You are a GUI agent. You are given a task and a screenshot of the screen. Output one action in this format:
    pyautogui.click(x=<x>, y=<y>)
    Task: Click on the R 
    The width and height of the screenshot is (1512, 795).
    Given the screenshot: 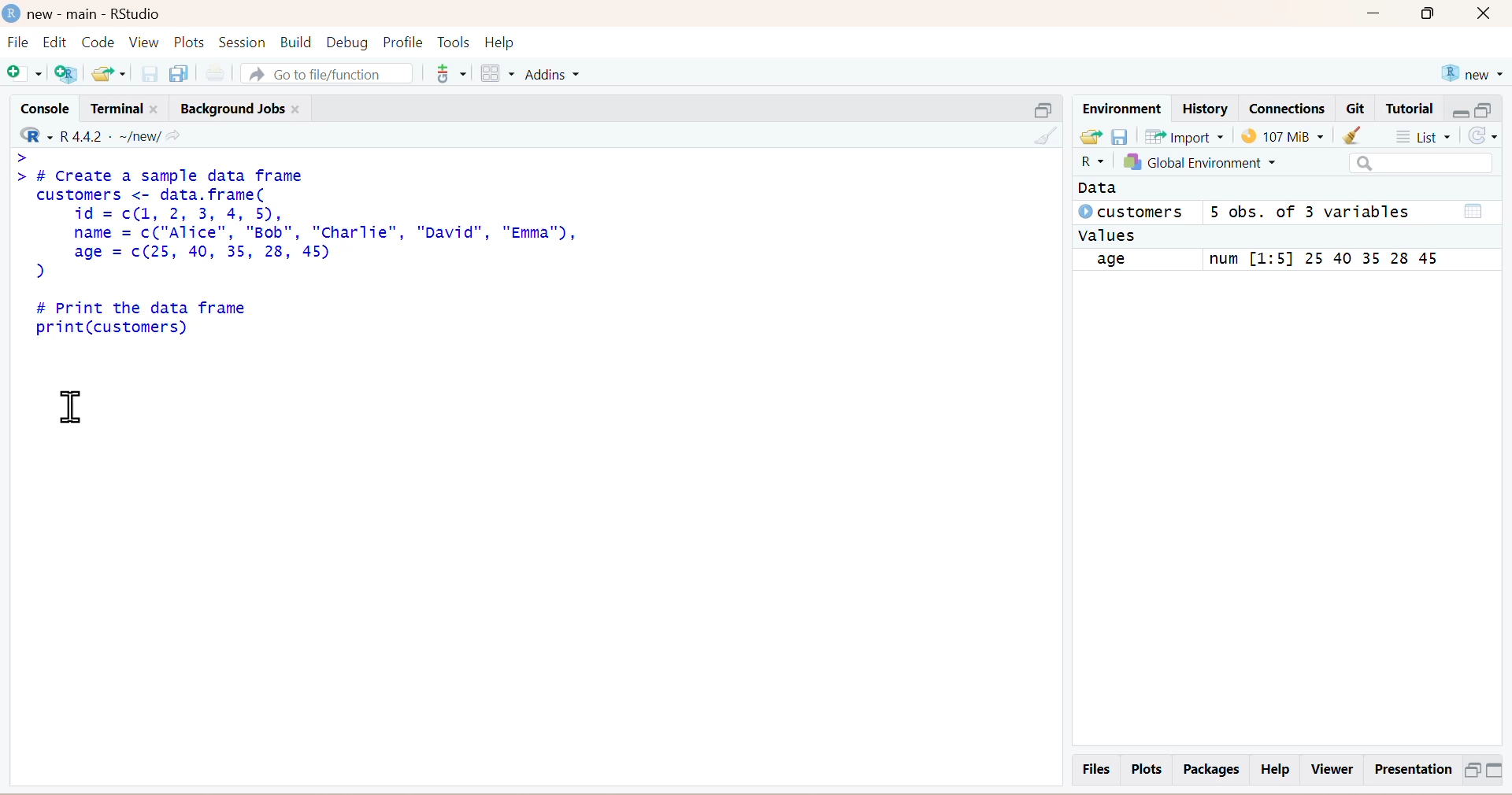 What is the action you would take?
    pyautogui.click(x=1086, y=164)
    